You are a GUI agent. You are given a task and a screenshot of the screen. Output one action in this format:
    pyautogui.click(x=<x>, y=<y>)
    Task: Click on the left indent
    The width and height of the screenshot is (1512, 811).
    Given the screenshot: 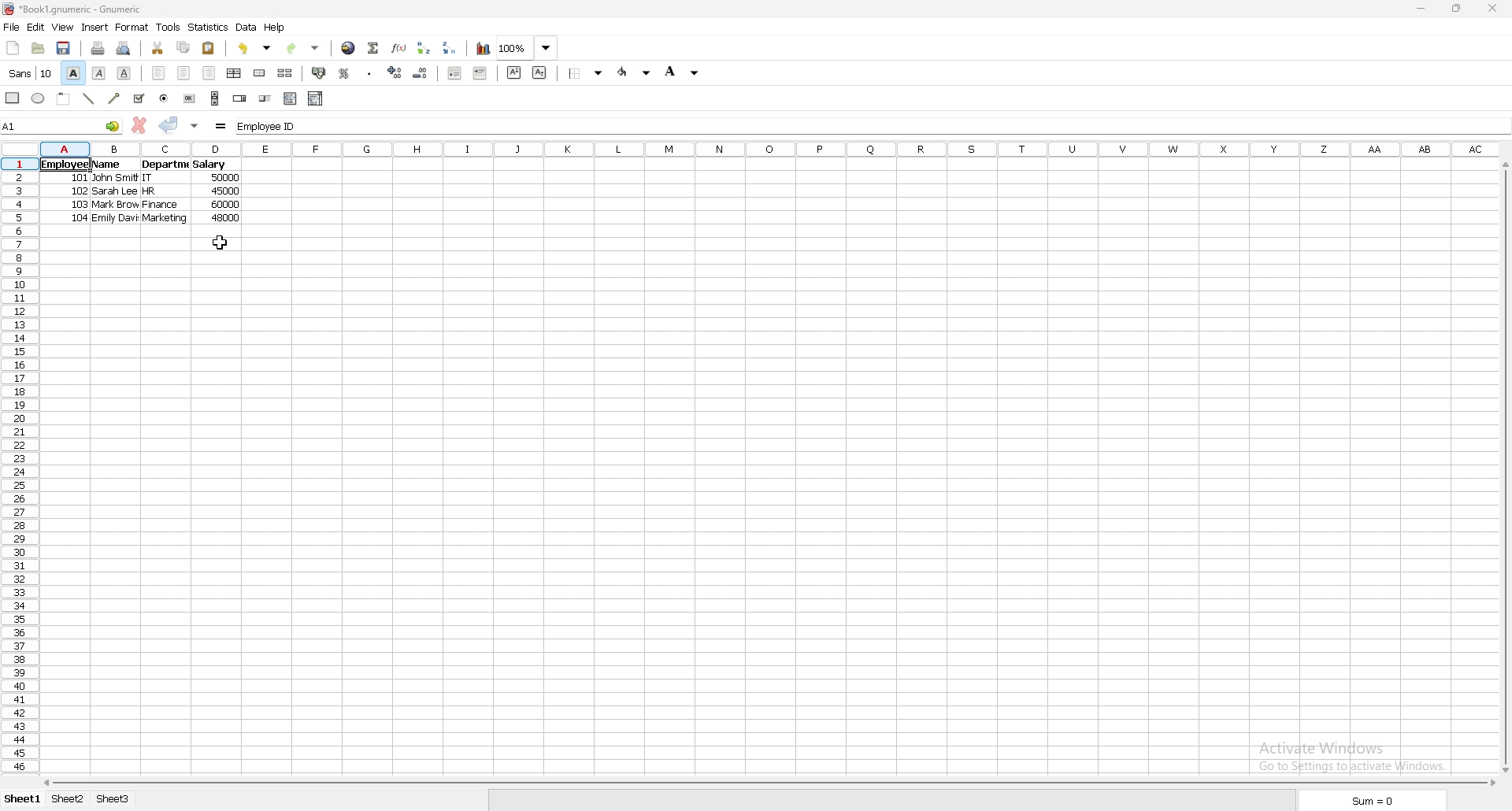 What is the action you would take?
    pyautogui.click(x=160, y=73)
    